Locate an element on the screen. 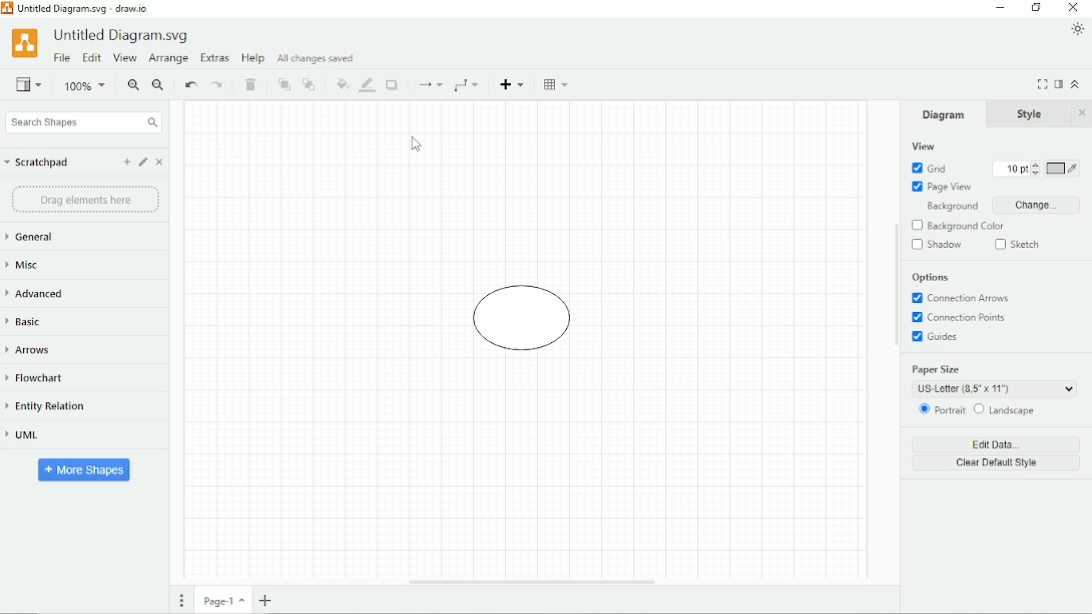 The width and height of the screenshot is (1092, 614). Add is located at coordinates (127, 162).